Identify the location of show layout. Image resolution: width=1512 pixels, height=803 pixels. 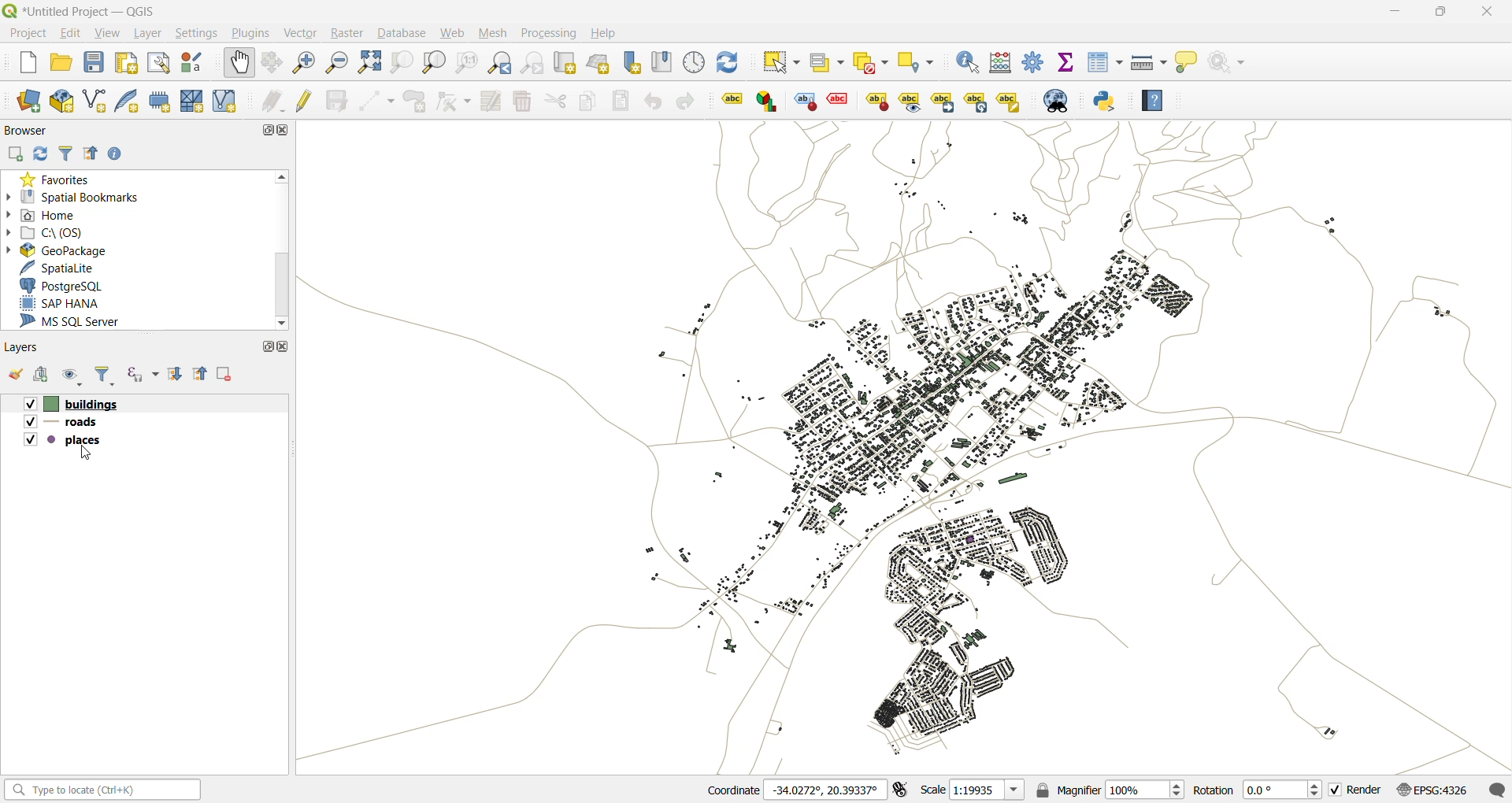
(161, 64).